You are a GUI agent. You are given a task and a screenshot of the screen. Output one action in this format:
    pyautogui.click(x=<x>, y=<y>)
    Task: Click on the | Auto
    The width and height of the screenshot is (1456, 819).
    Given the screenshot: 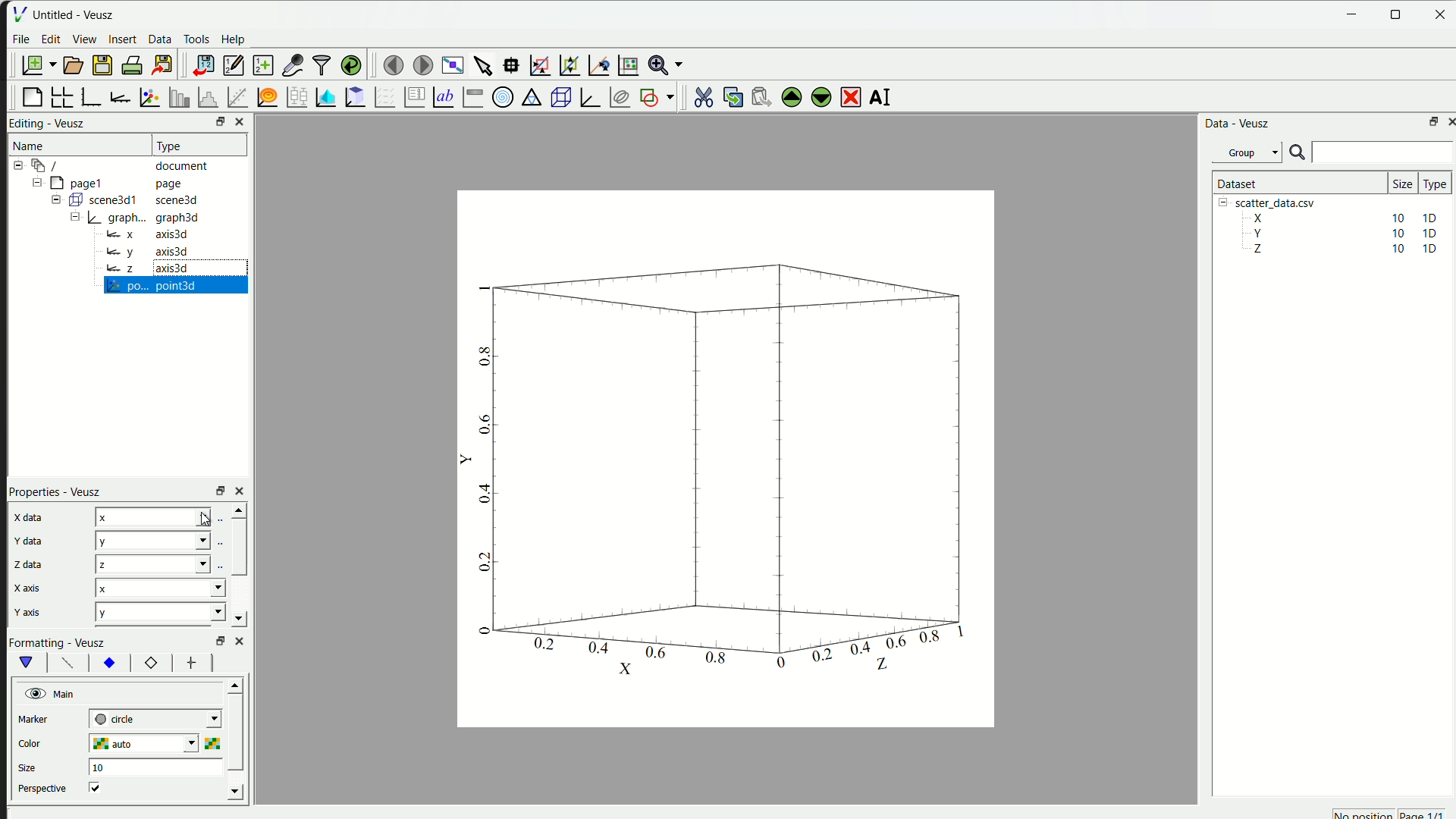 What is the action you would take?
    pyautogui.click(x=168, y=563)
    